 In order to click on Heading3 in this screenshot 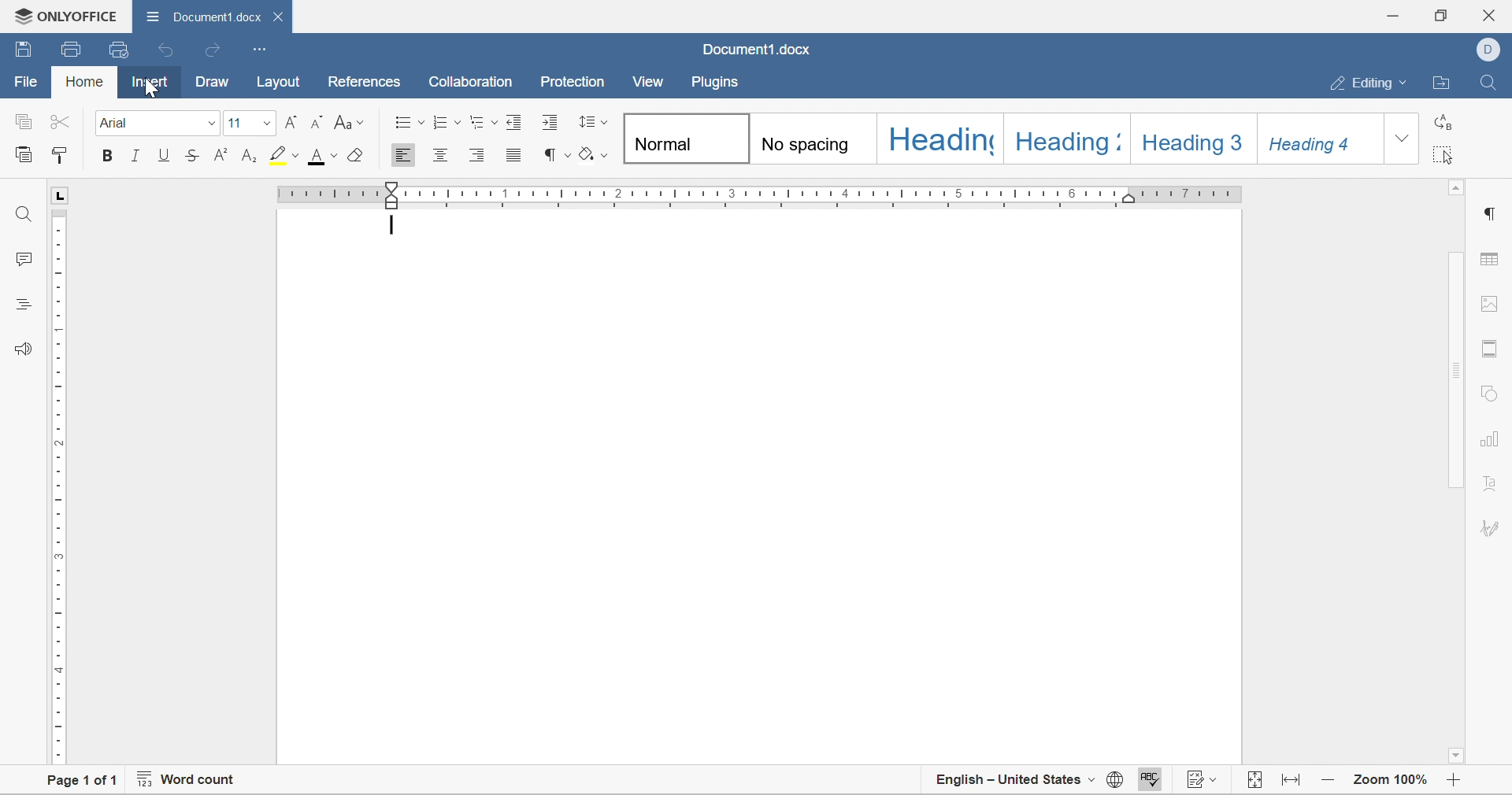, I will do `click(1197, 141)`.